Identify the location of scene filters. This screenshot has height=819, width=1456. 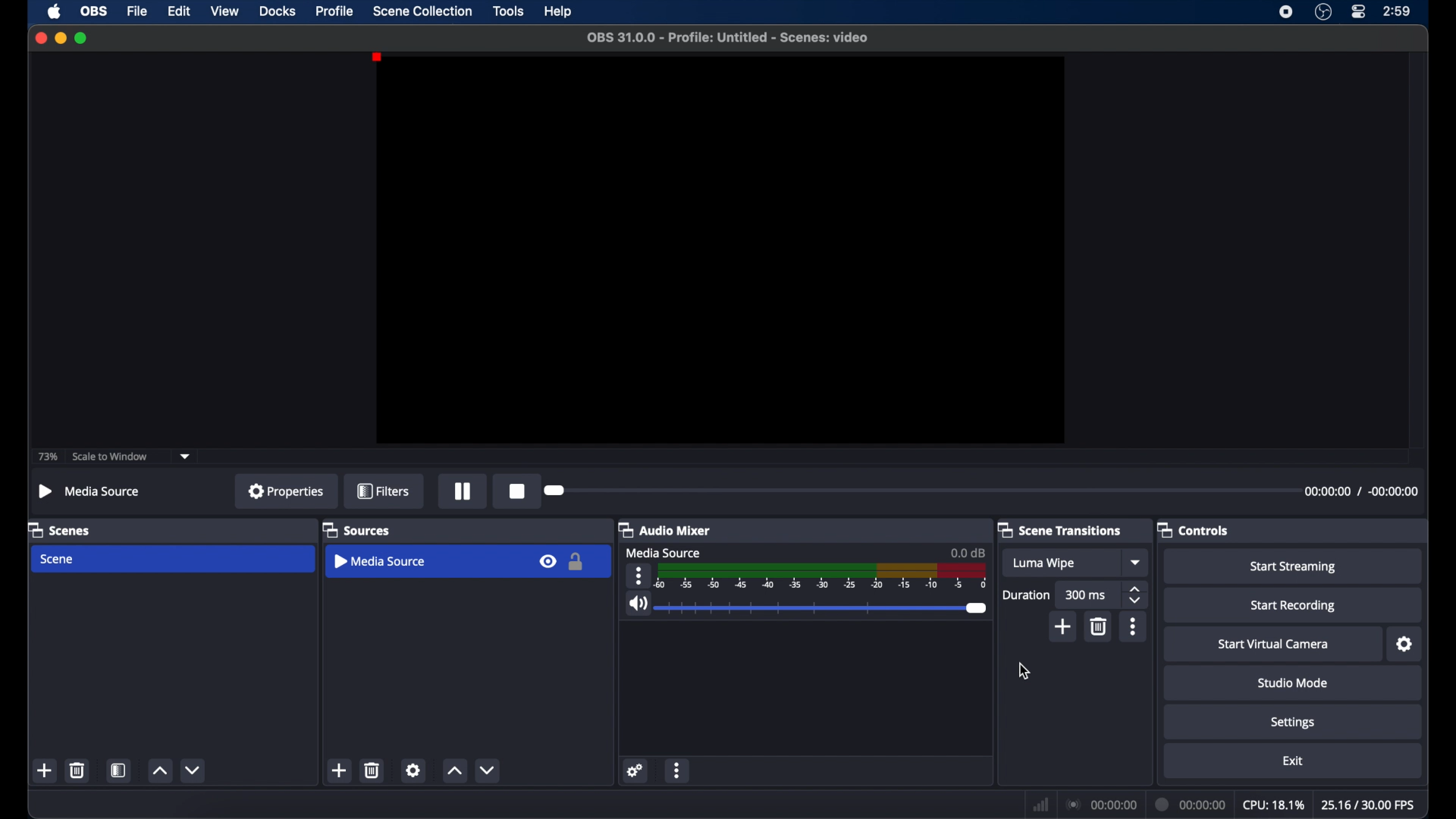
(118, 770).